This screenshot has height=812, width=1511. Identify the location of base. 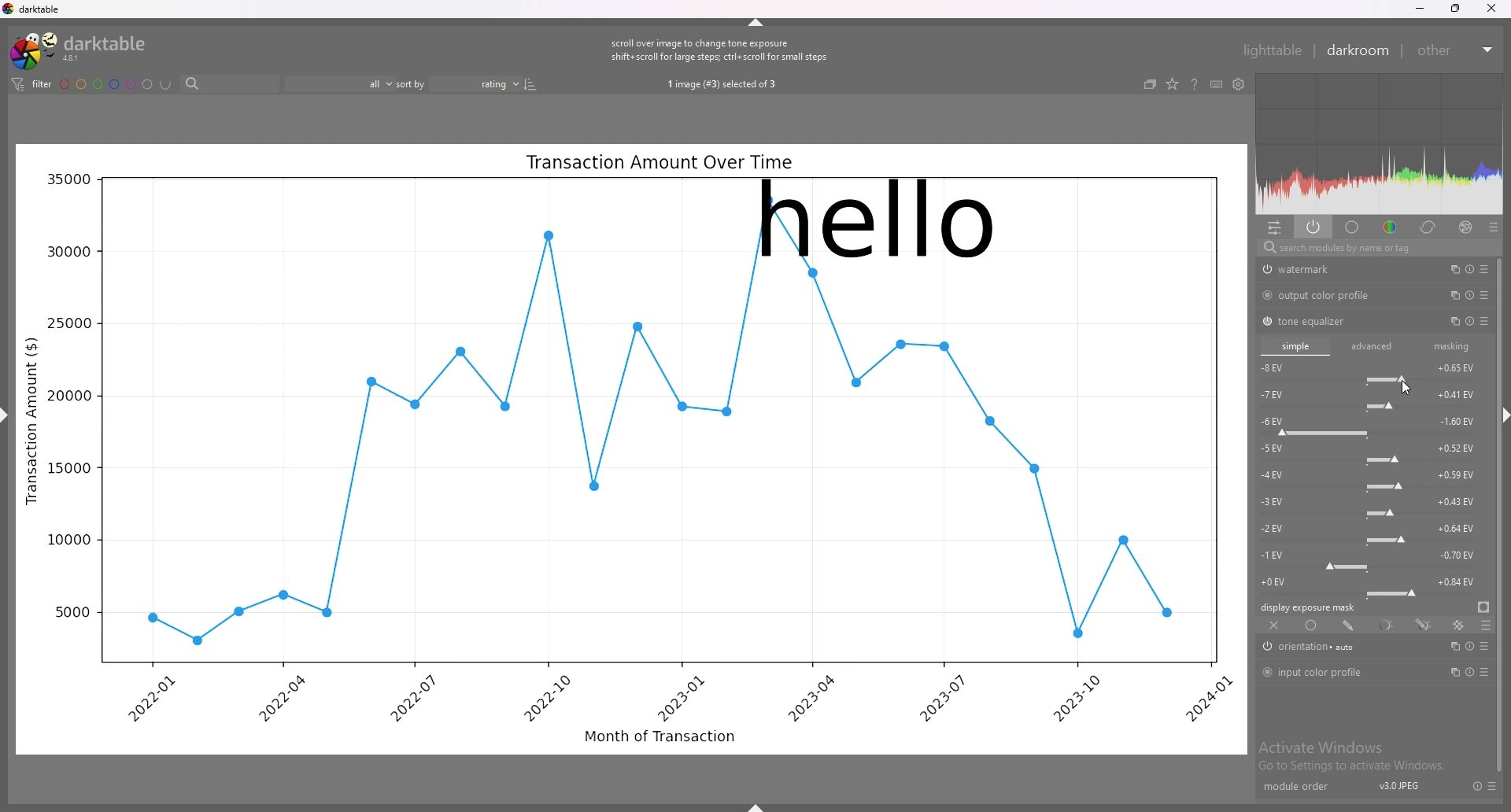
(1353, 227).